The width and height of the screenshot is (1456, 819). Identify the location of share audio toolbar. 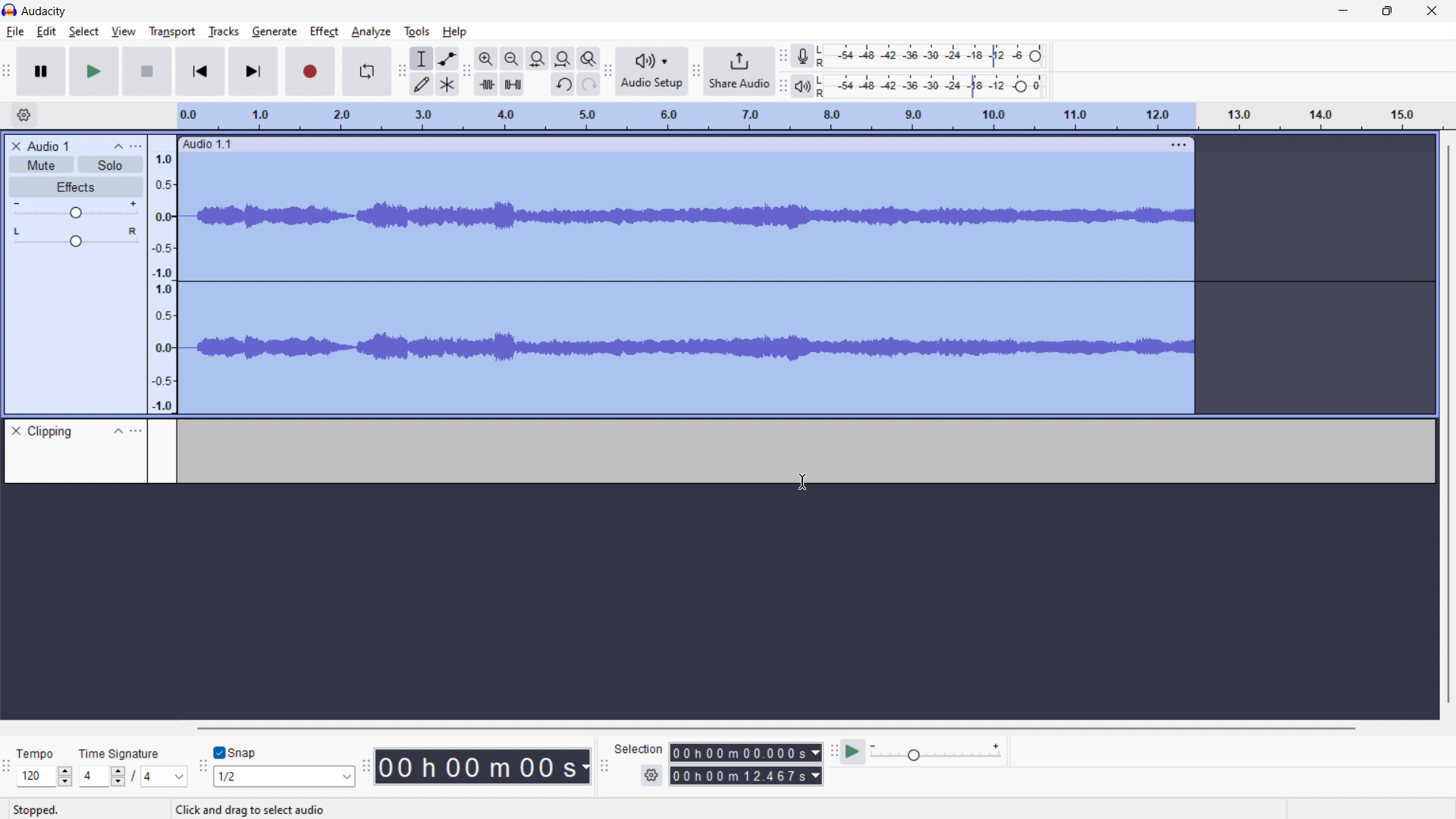
(697, 73).